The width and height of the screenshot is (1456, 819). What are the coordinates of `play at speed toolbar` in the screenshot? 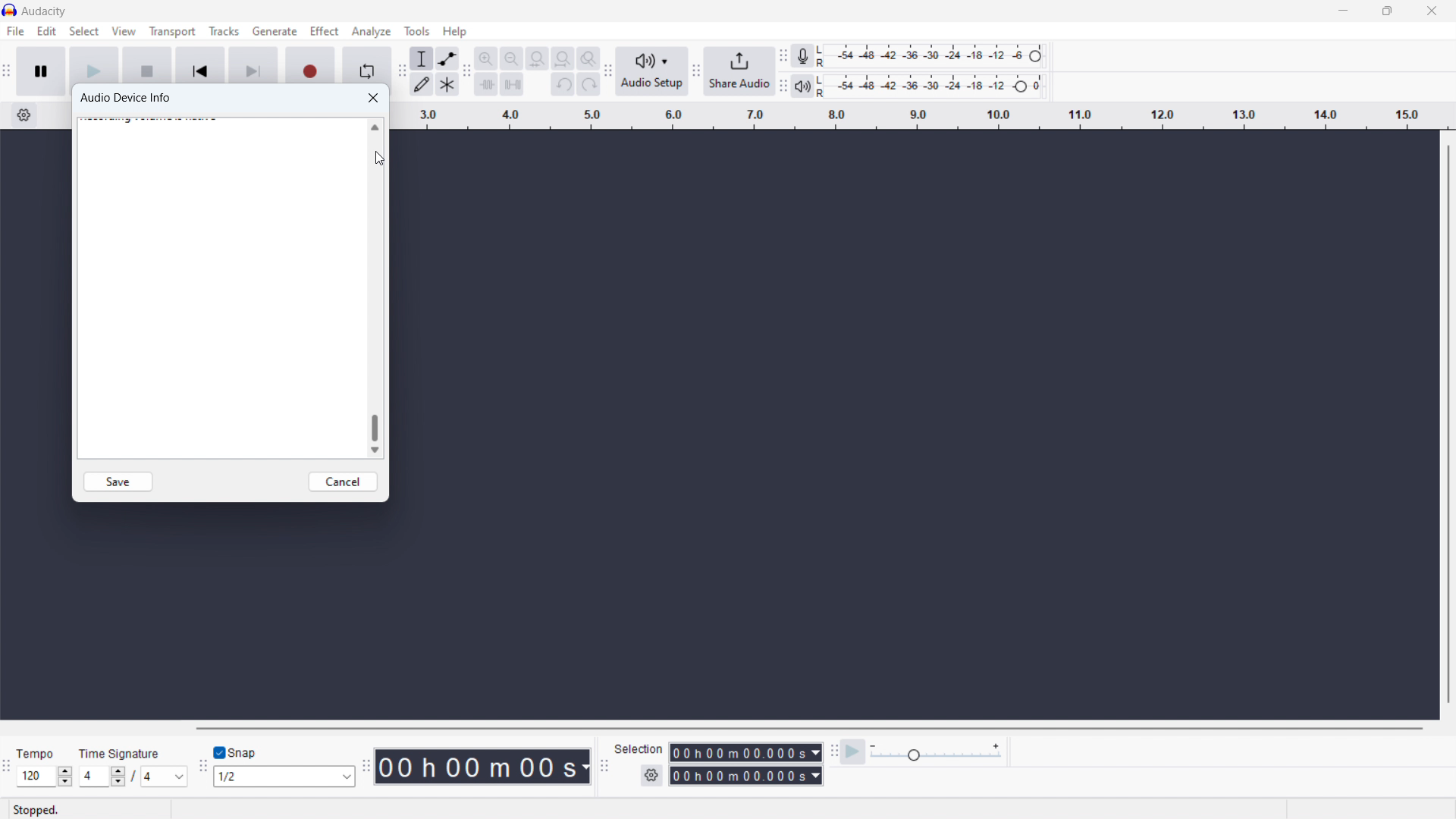 It's located at (831, 751).